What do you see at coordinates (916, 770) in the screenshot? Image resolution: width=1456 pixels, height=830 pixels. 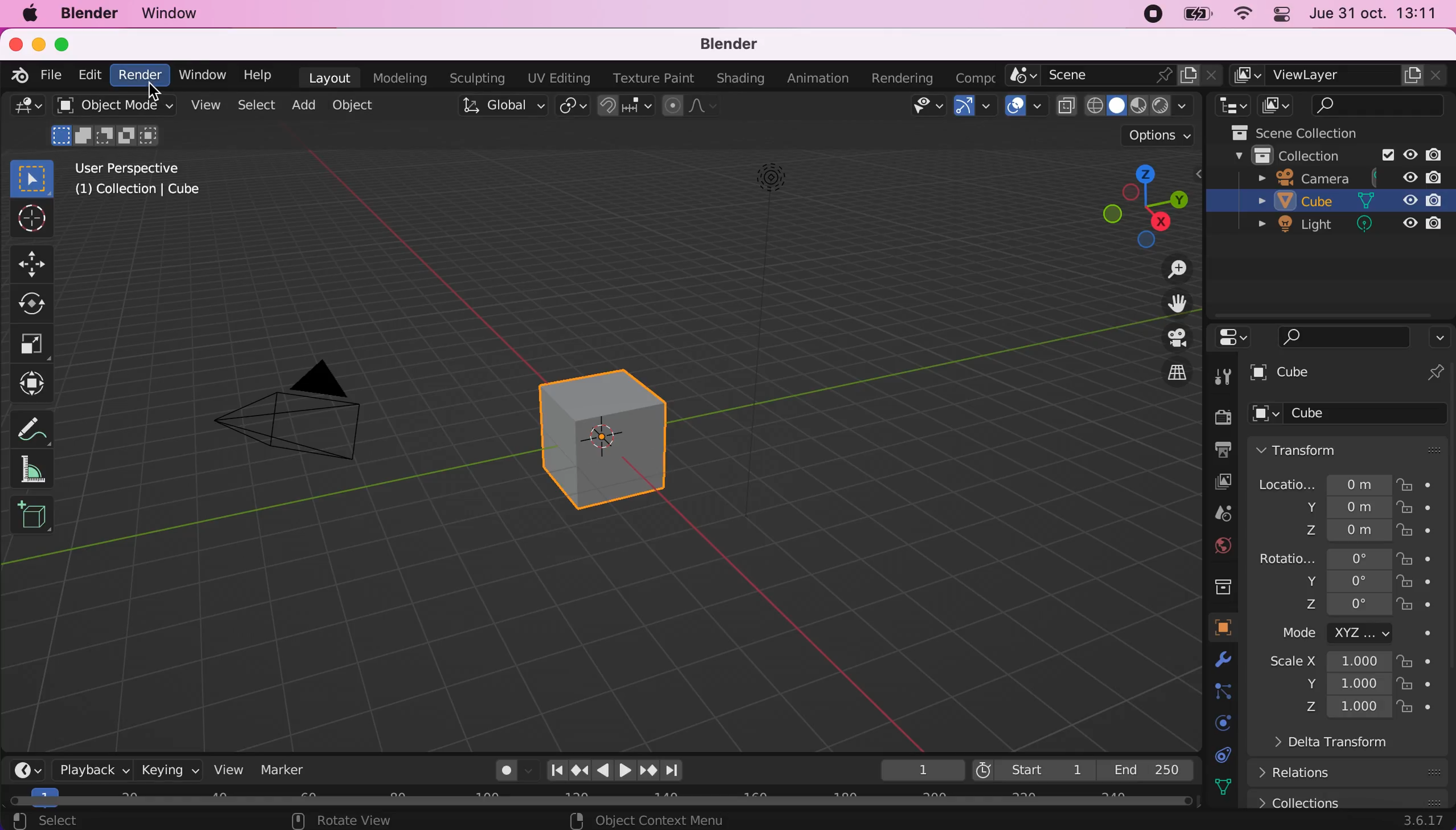 I see `1` at bounding box center [916, 770].